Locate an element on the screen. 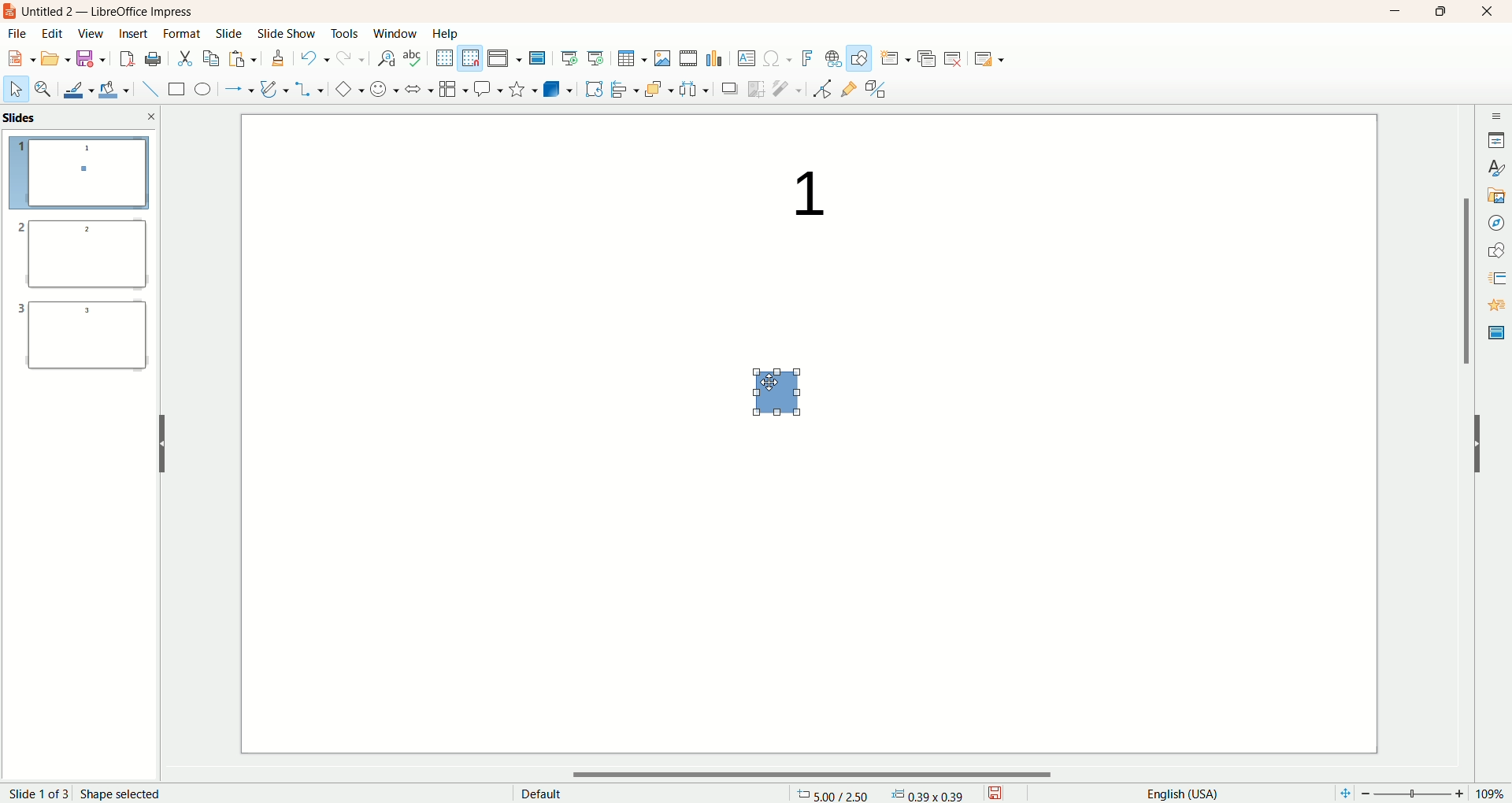 This screenshot has width=1512, height=803. callout shapes is located at coordinates (486, 90).